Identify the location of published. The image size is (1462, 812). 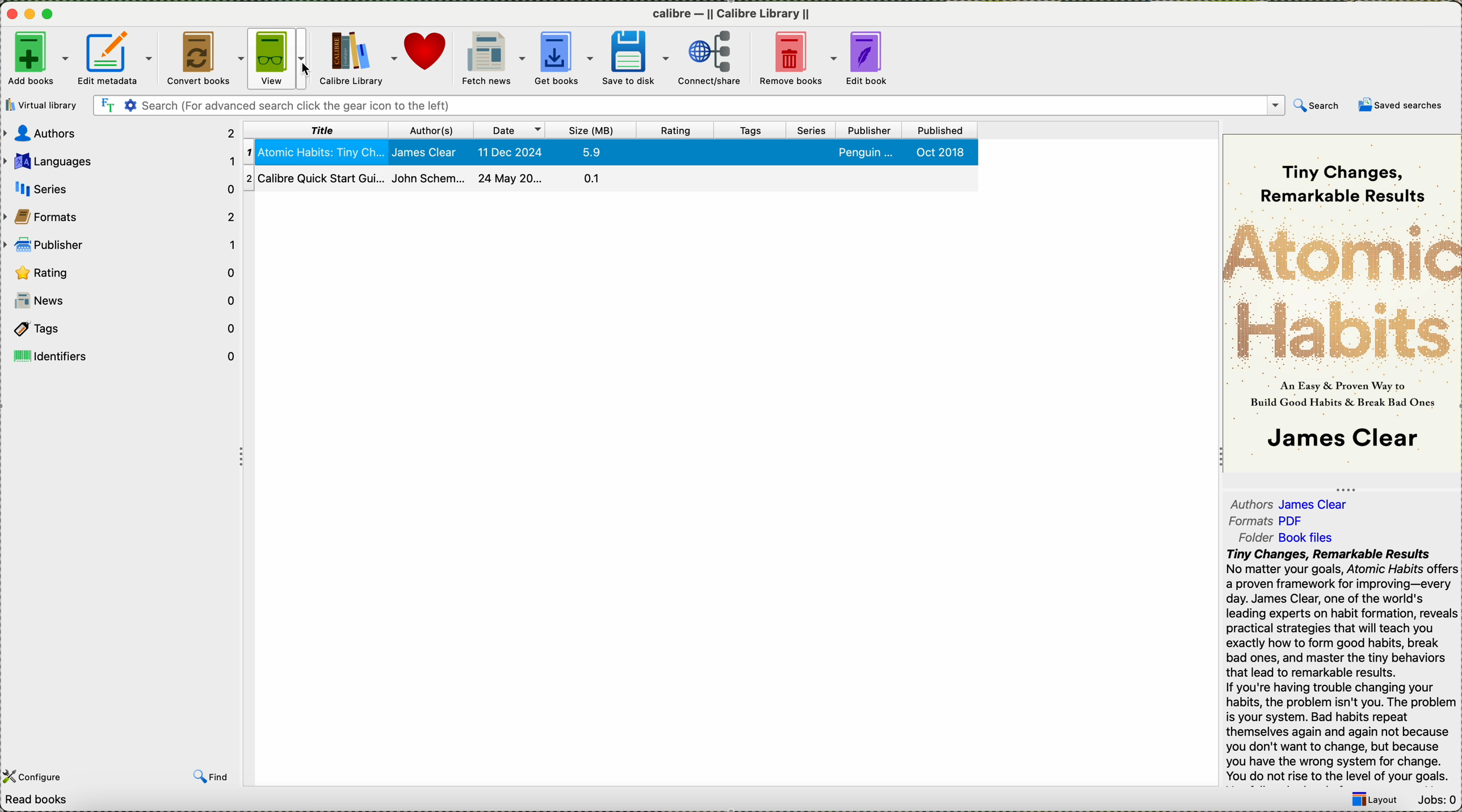
(939, 131).